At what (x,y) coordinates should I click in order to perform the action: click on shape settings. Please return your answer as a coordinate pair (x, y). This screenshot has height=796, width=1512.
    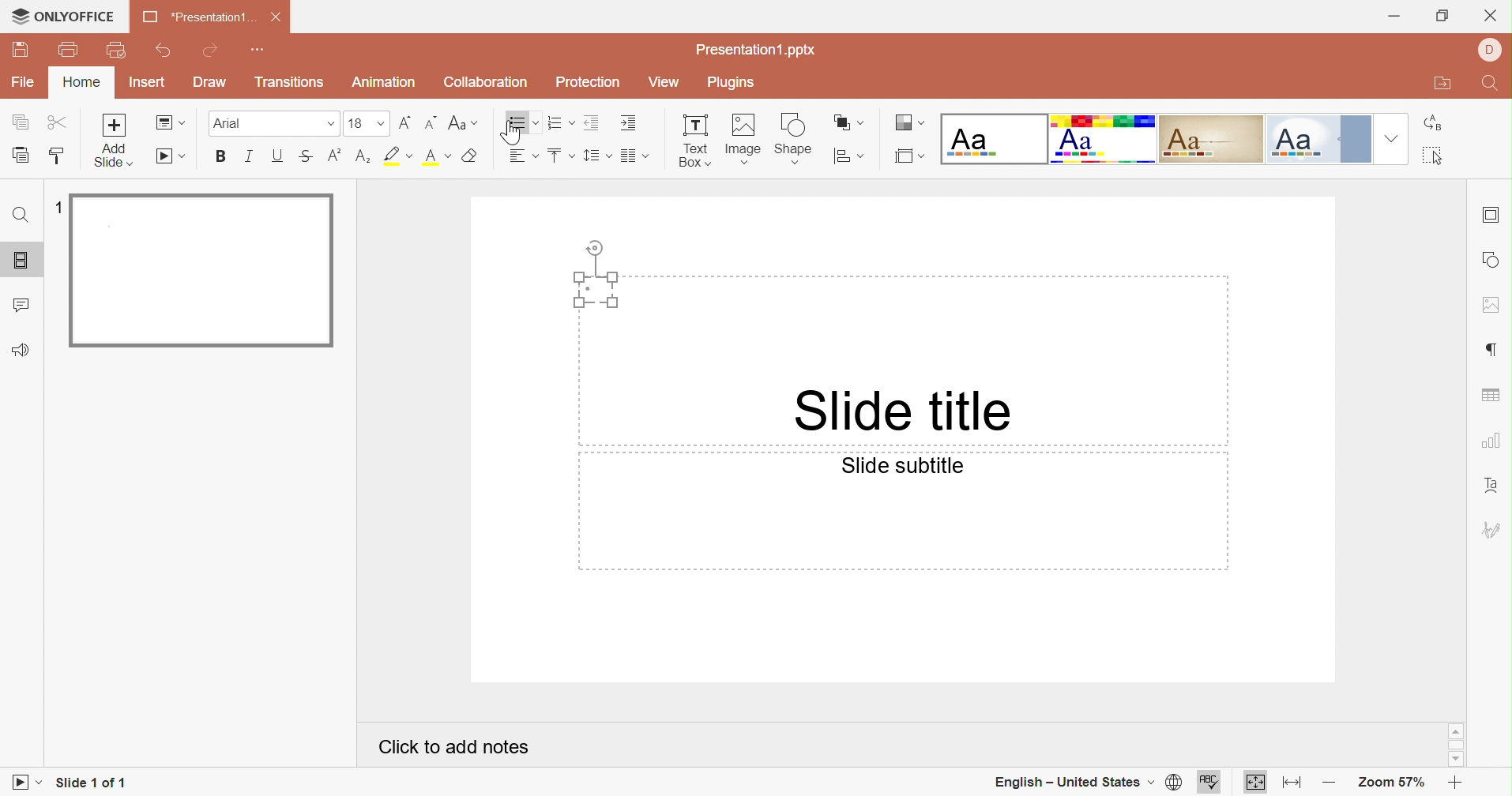
    Looking at the image, I should click on (1491, 258).